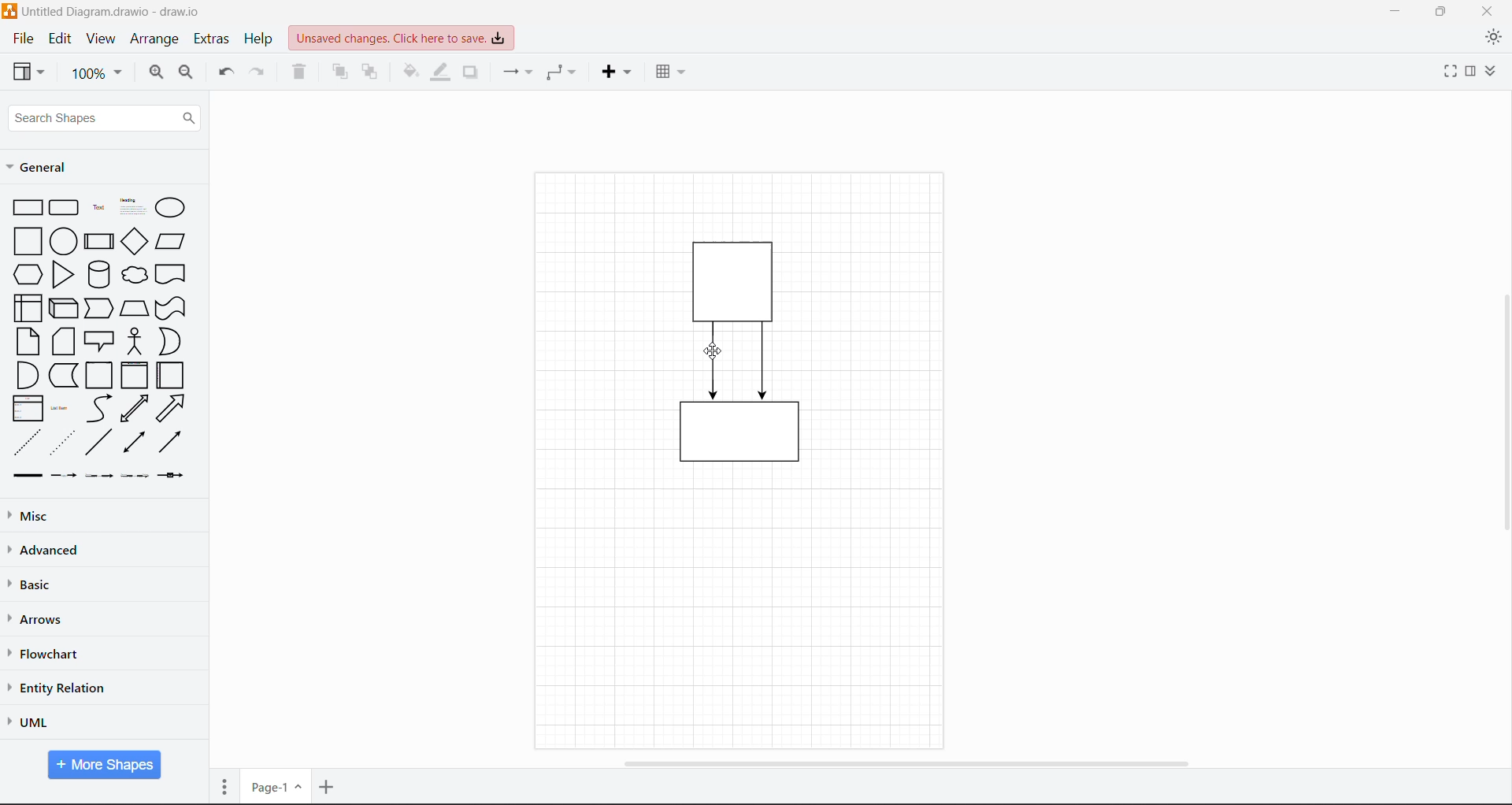 Image resolution: width=1512 pixels, height=805 pixels. Describe the element at coordinates (97, 74) in the screenshot. I see `Zoom` at that location.